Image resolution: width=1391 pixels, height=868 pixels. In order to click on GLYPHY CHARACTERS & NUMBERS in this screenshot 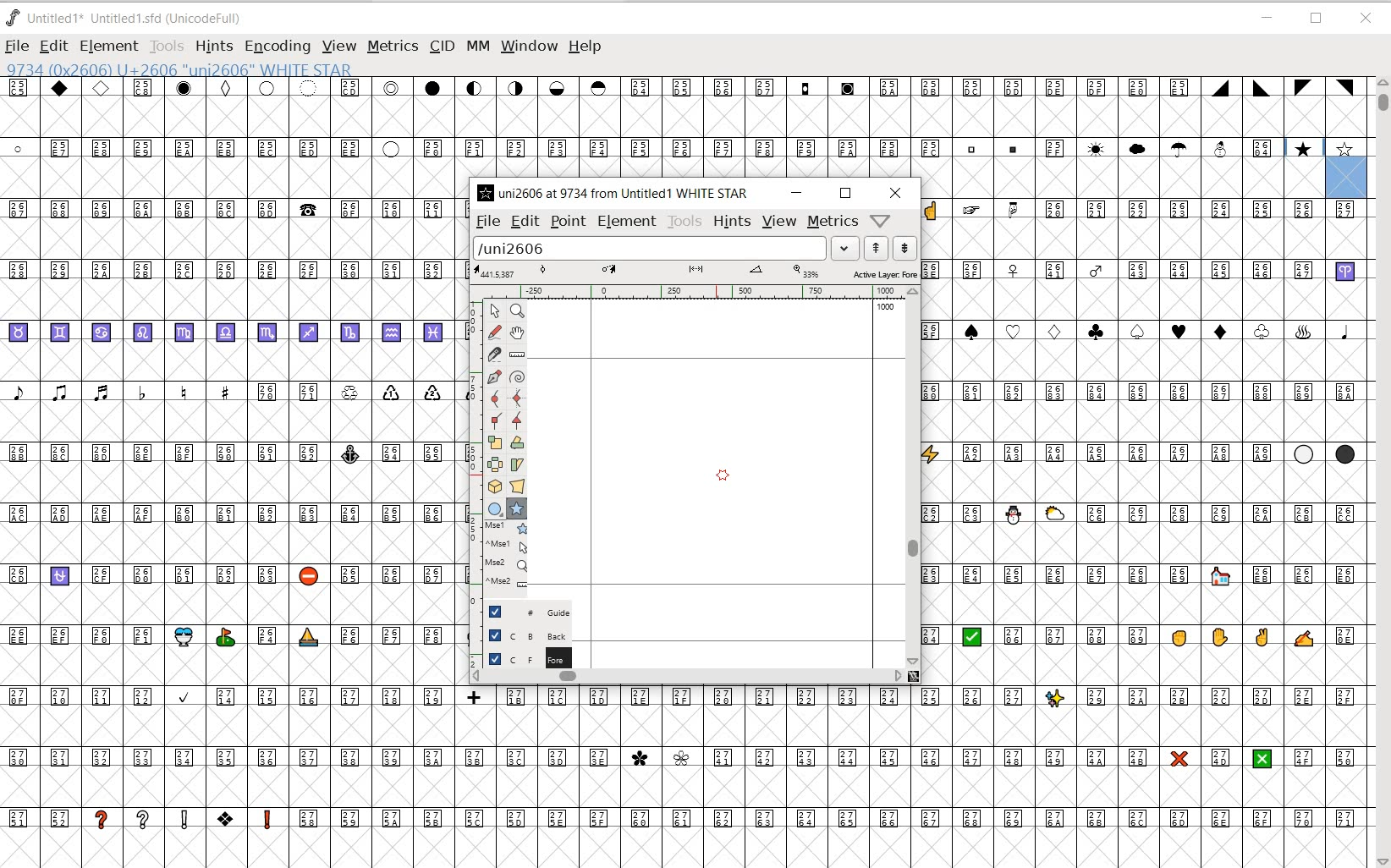, I will do `click(229, 523)`.